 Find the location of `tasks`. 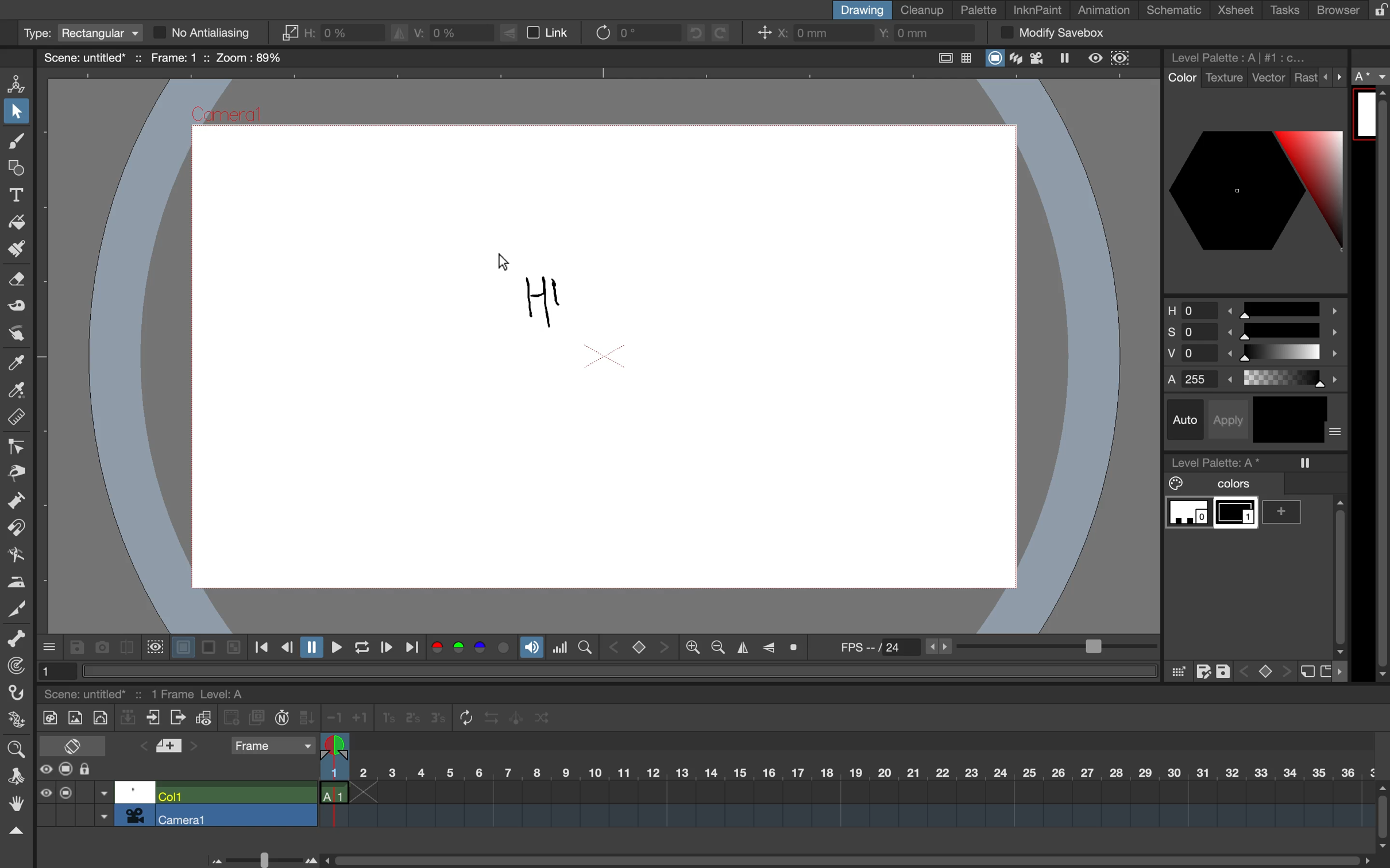

tasks is located at coordinates (1283, 10).